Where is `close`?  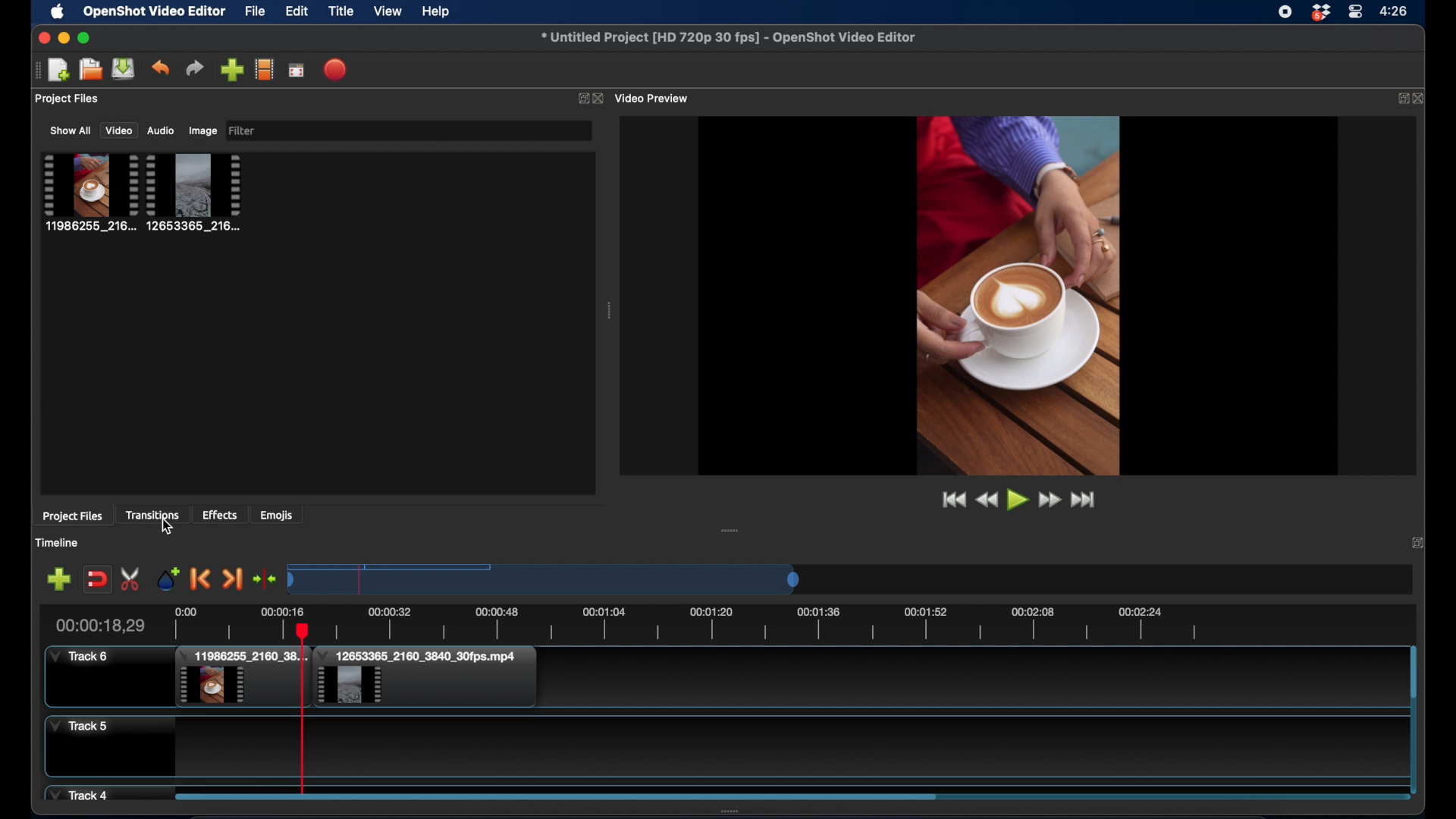 close is located at coordinates (1422, 98).